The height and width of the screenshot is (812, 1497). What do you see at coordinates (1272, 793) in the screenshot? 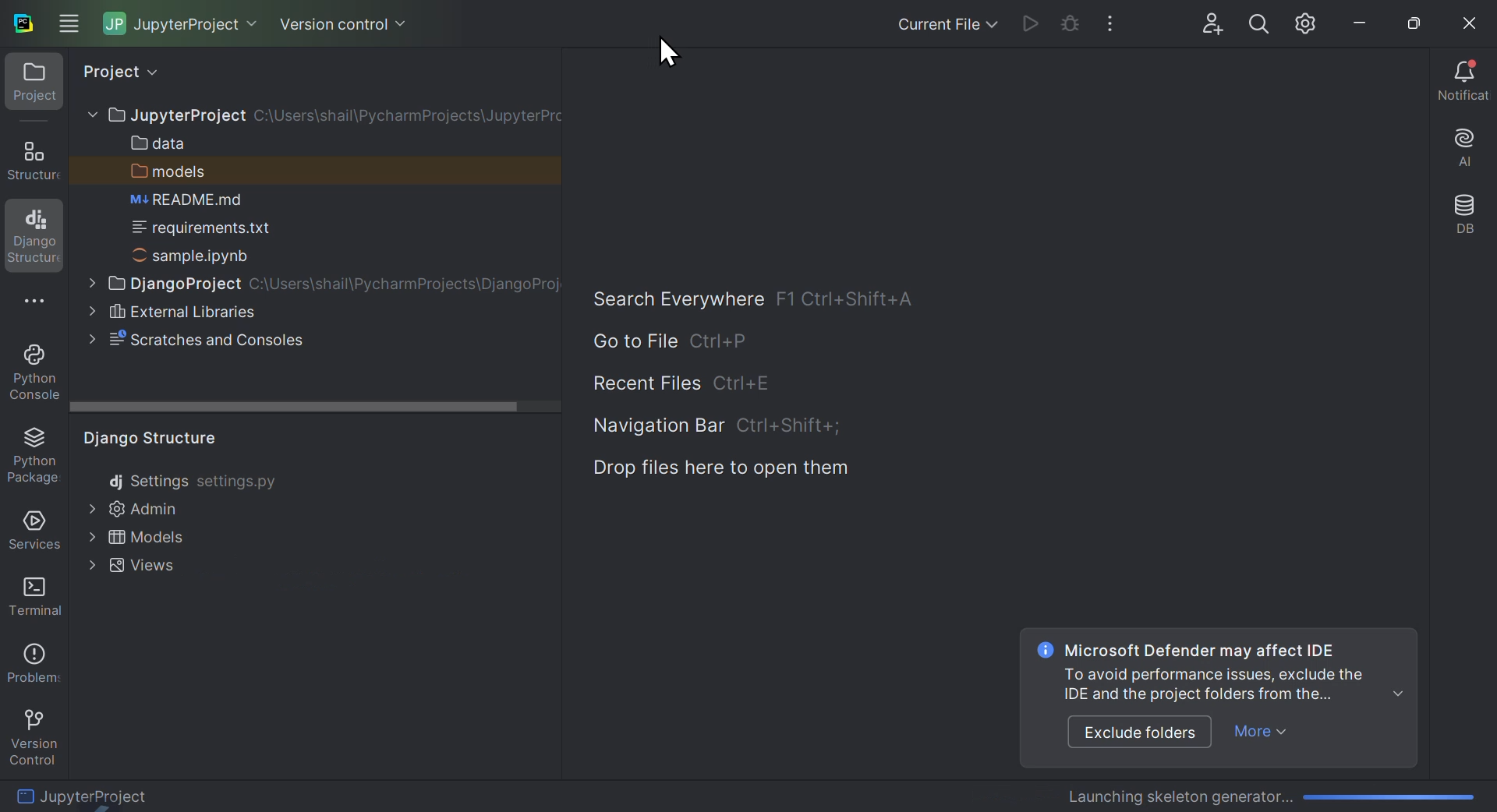
I see `Launching skeleton generator` at bounding box center [1272, 793].